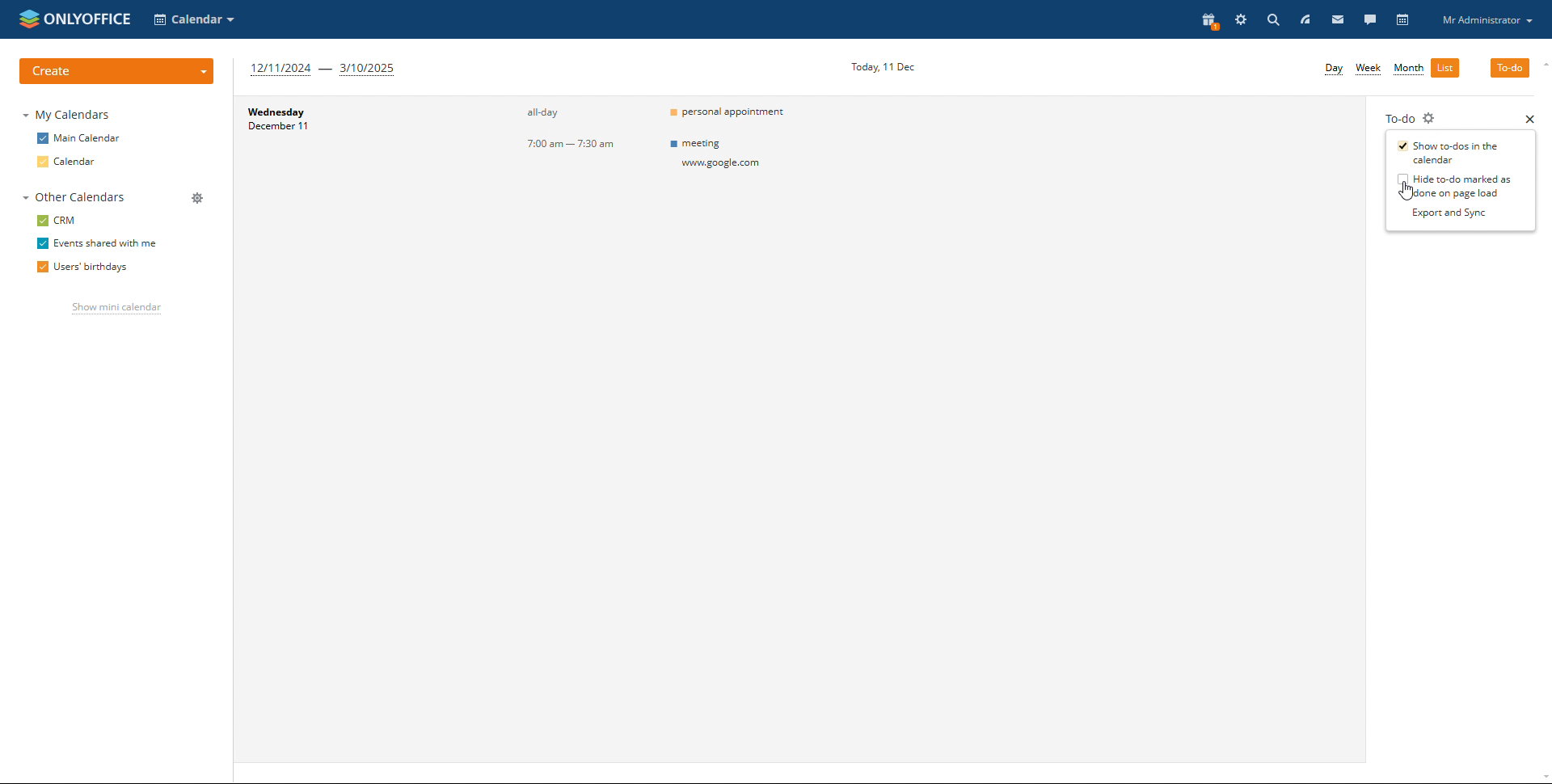 The image size is (1552, 784). I want to click on users' birthdays, so click(82, 267).